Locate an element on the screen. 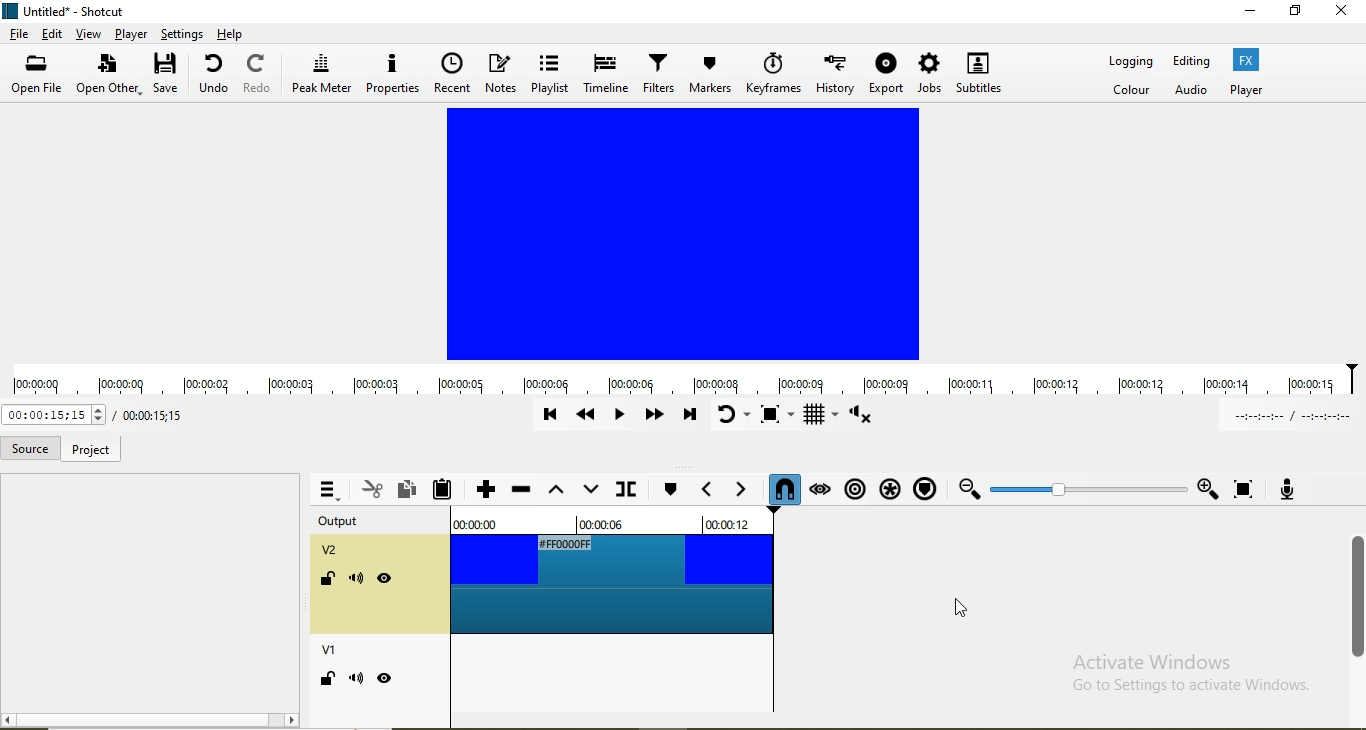 This screenshot has width=1366, height=730. In point is located at coordinates (1289, 416).